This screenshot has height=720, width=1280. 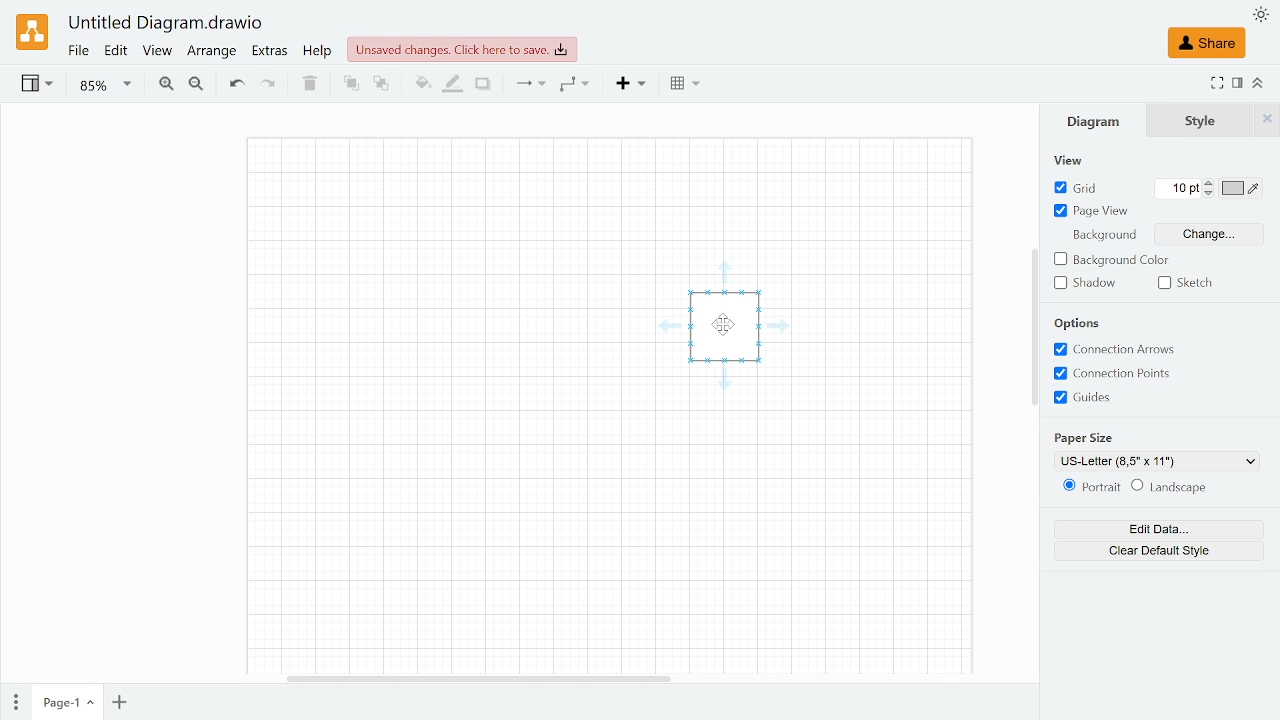 I want to click on Clear default style, so click(x=1150, y=552).